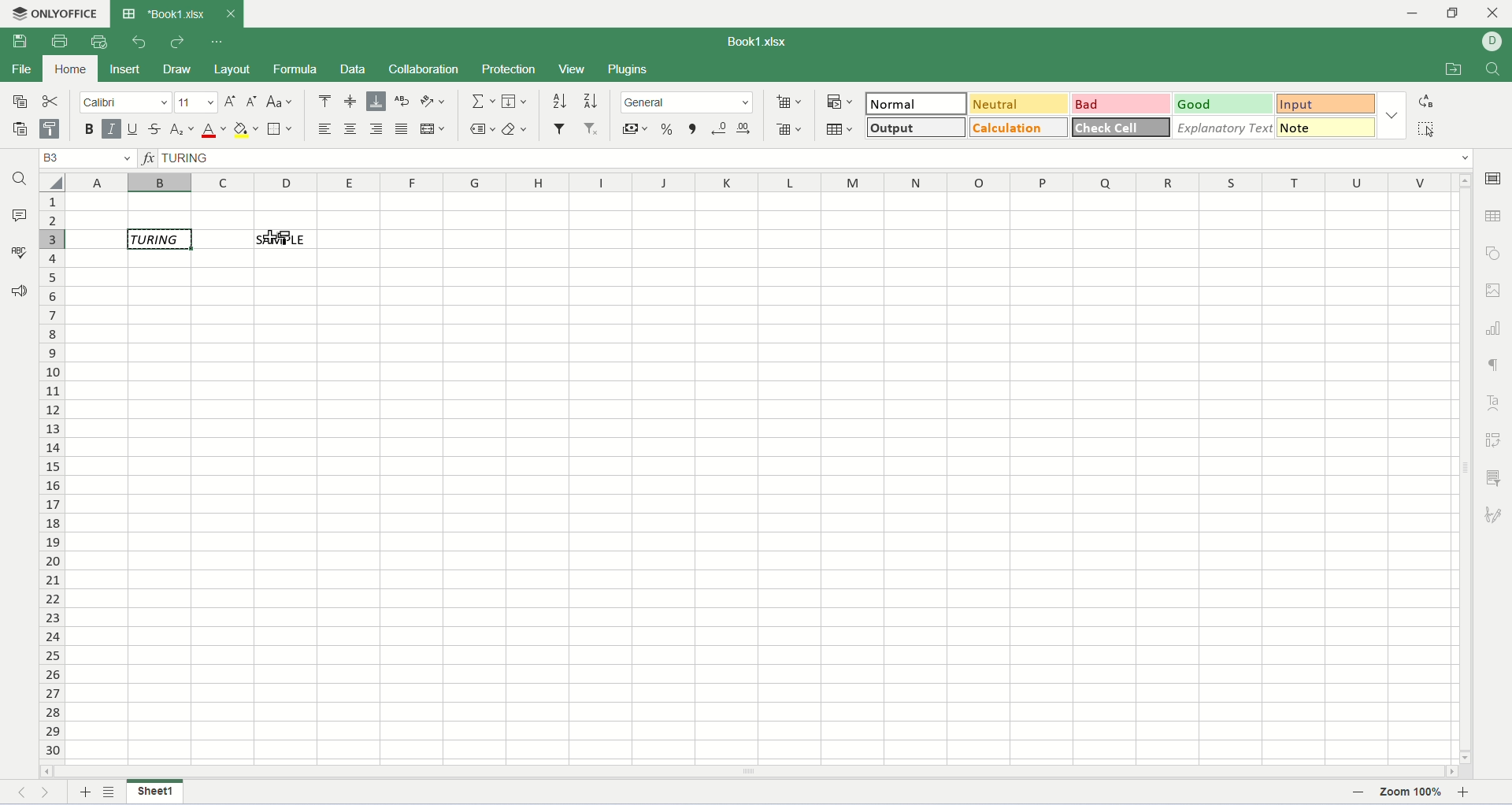 The image size is (1512, 805). What do you see at coordinates (198, 102) in the screenshot?
I see `font size` at bounding box center [198, 102].